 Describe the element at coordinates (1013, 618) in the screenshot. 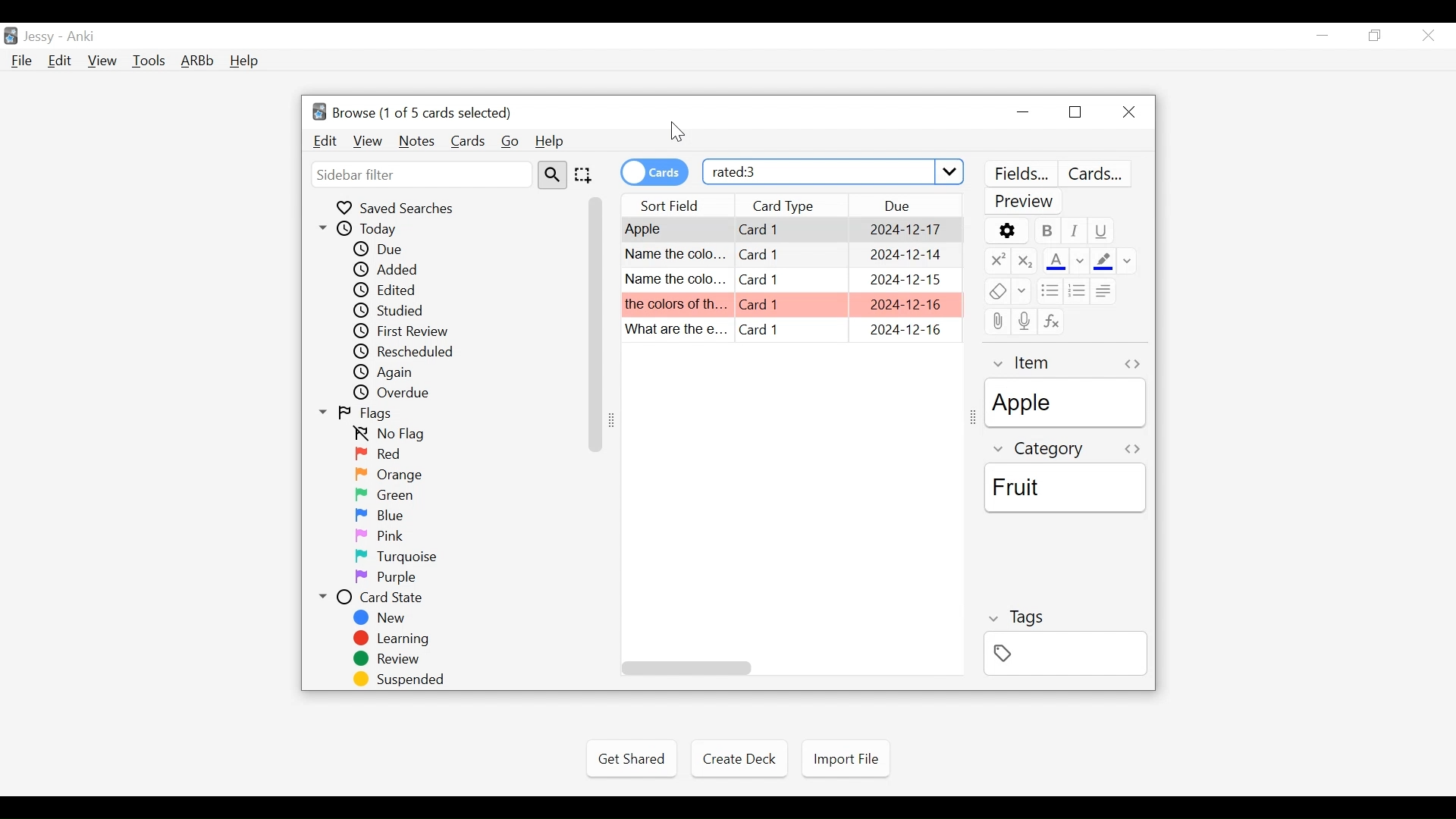

I see `Tags` at that location.